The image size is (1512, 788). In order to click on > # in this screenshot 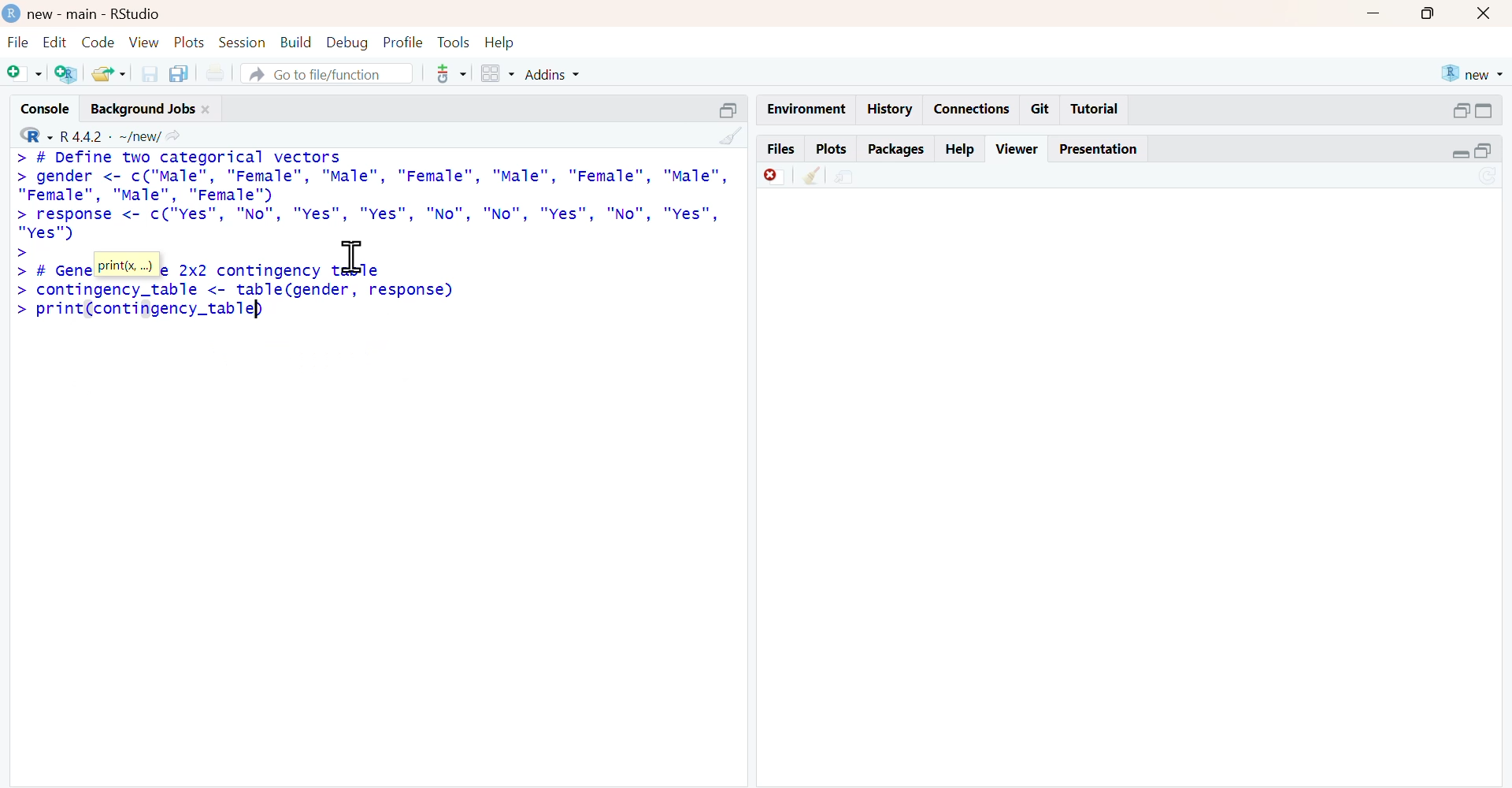, I will do `click(33, 271)`.